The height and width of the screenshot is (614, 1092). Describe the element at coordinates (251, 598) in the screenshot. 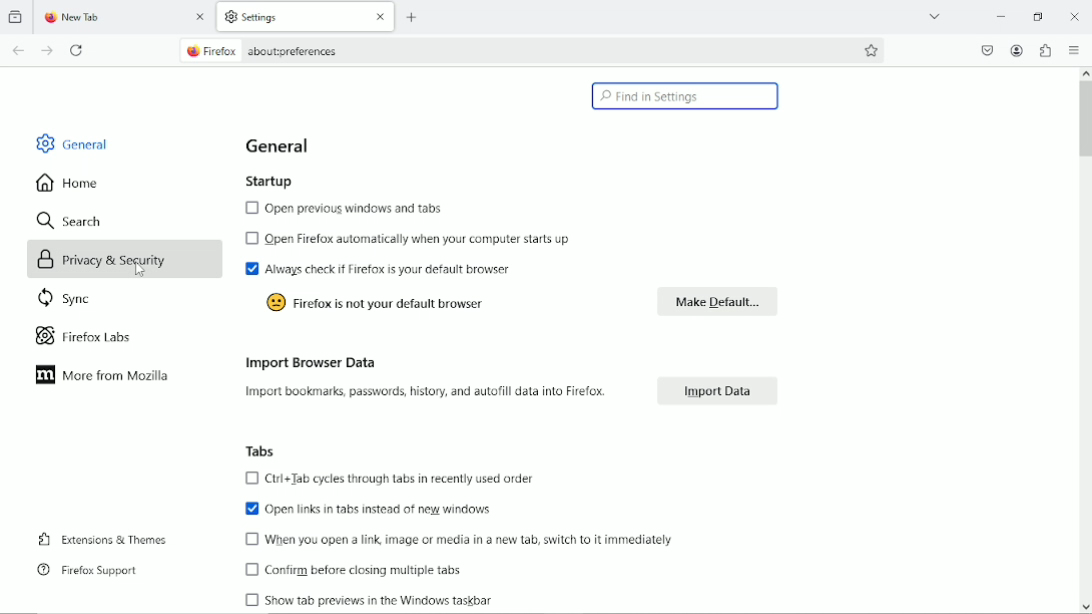

I see `checkbox` at that location.